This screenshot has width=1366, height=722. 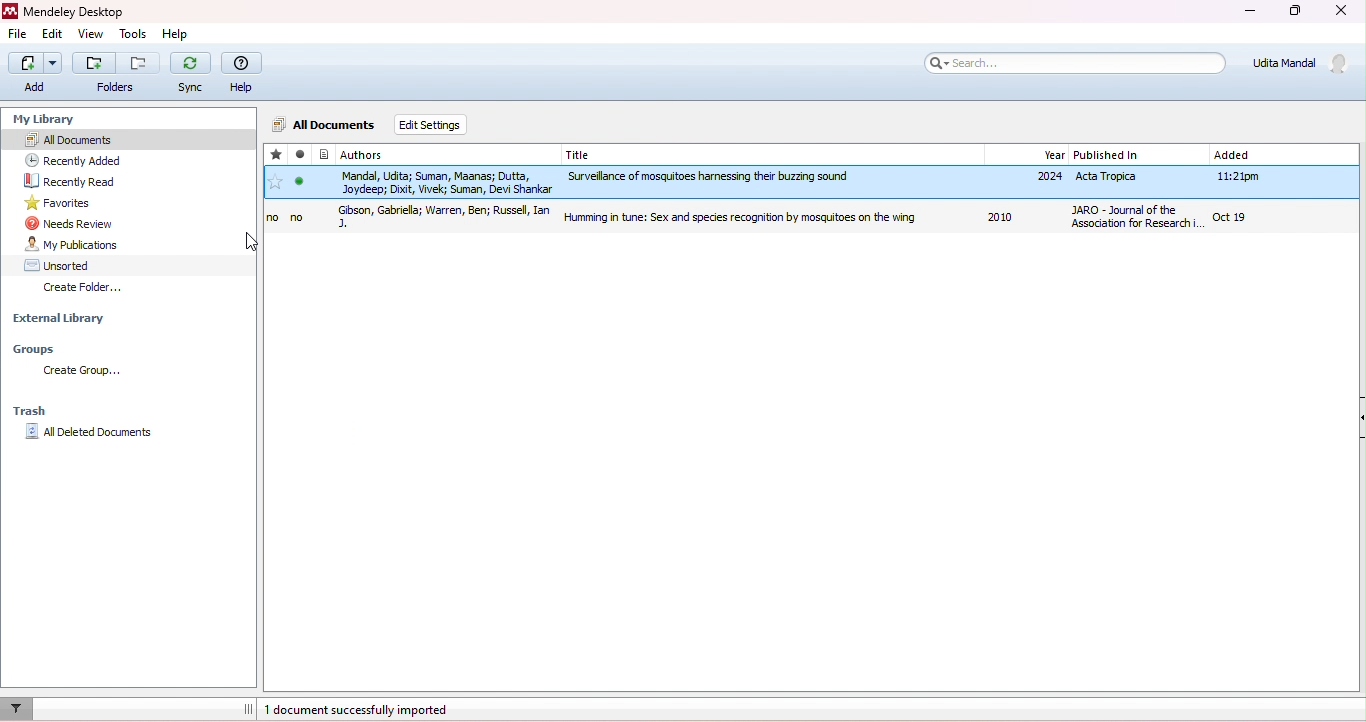 What do you see at coordinates (16, 708) in the screenshot?
I see `filter` at bounding box center [16, 708].